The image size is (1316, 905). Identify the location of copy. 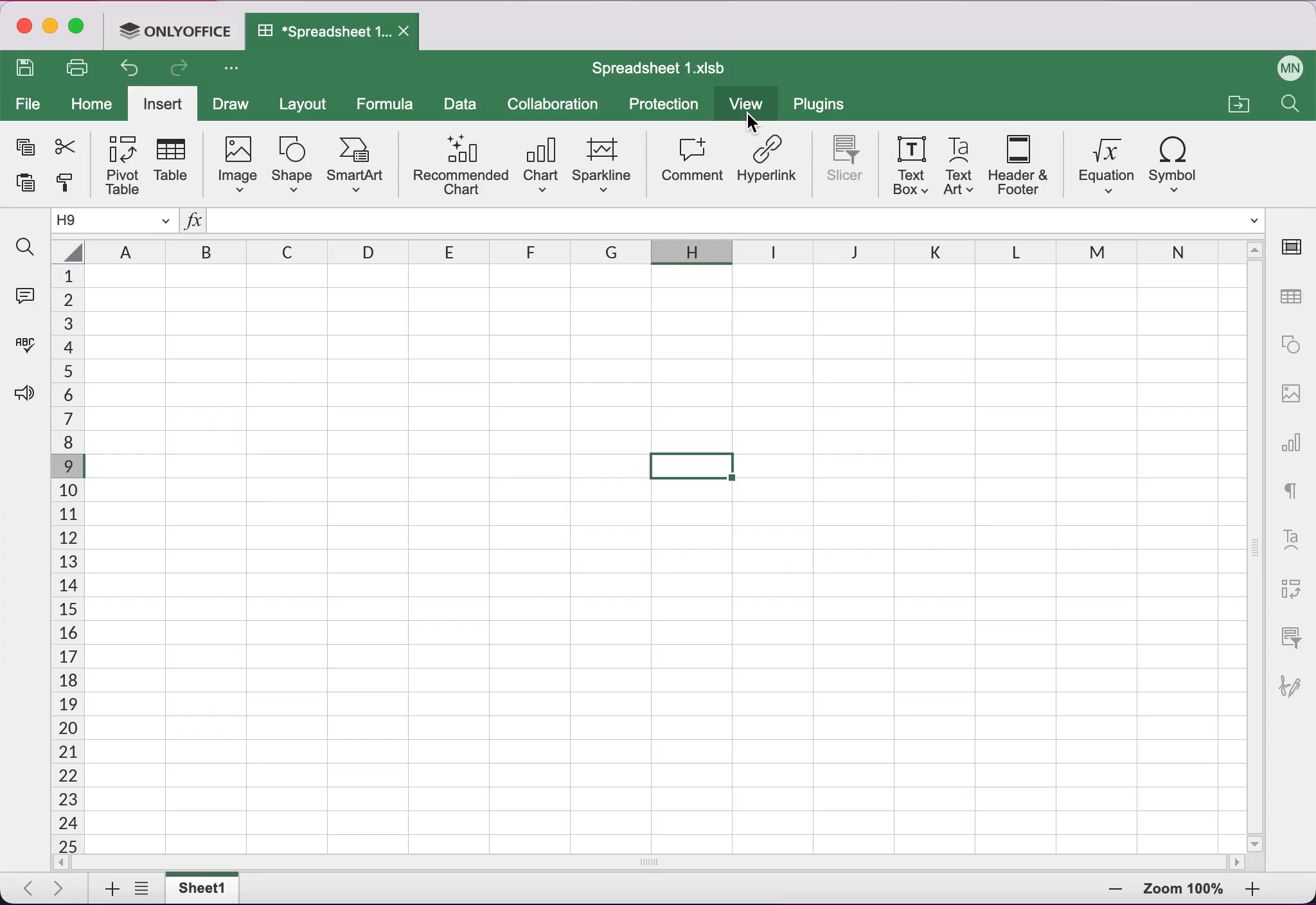
(24, 144).